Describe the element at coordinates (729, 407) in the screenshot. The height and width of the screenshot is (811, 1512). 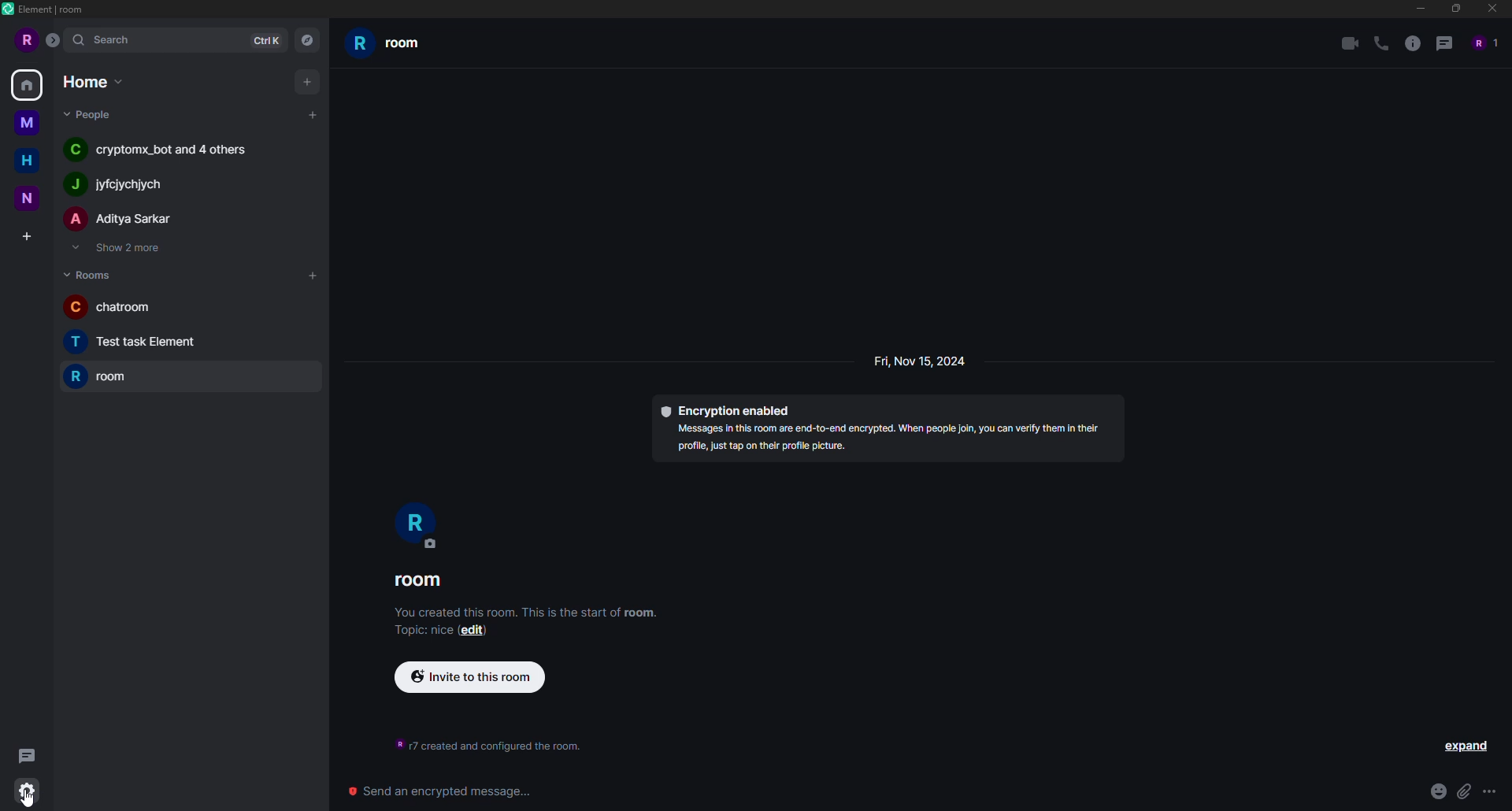
I see `encryption enabled` at that location.